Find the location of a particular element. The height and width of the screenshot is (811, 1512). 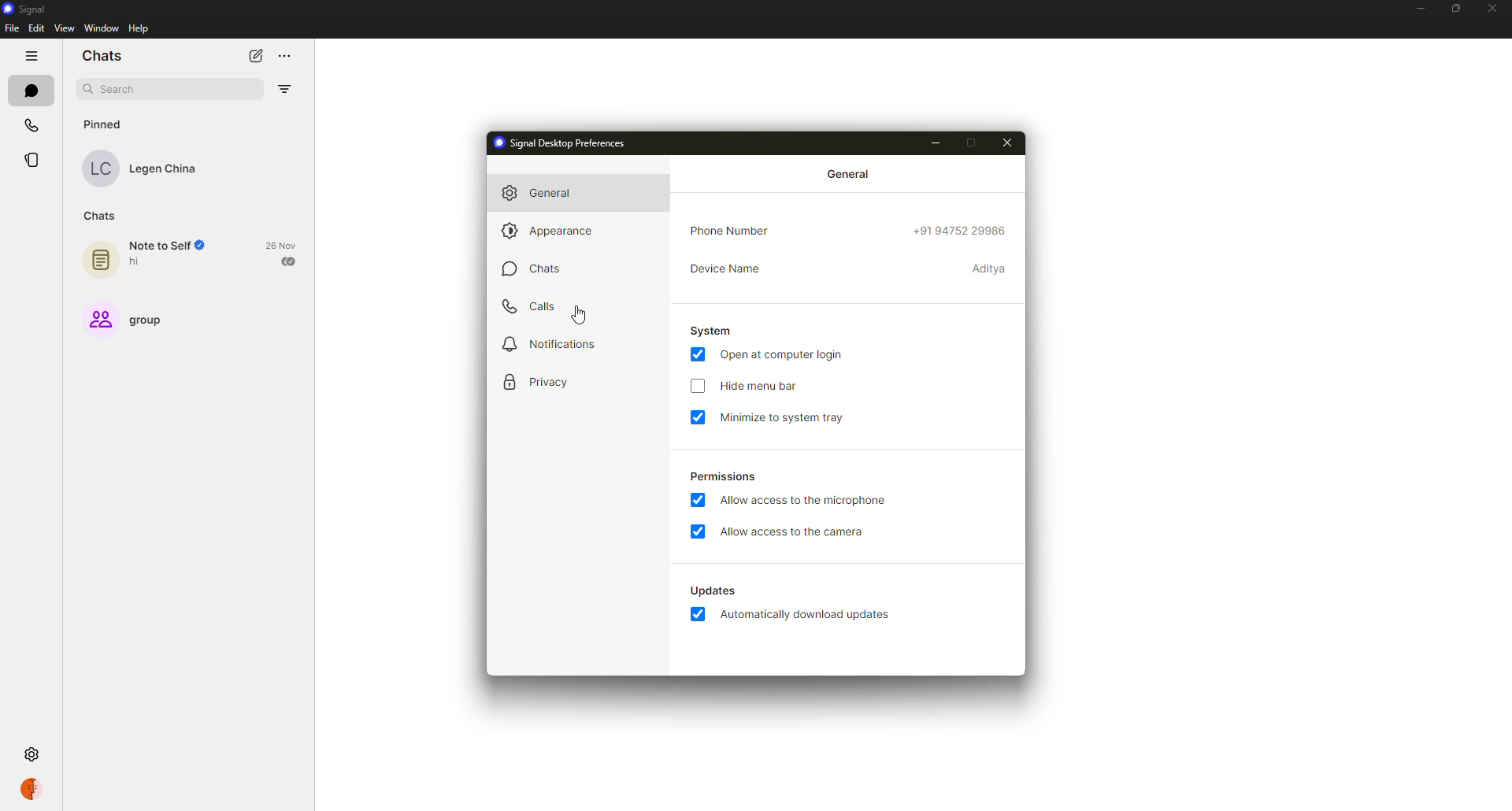

notifications is located at coordinates (545, 345).